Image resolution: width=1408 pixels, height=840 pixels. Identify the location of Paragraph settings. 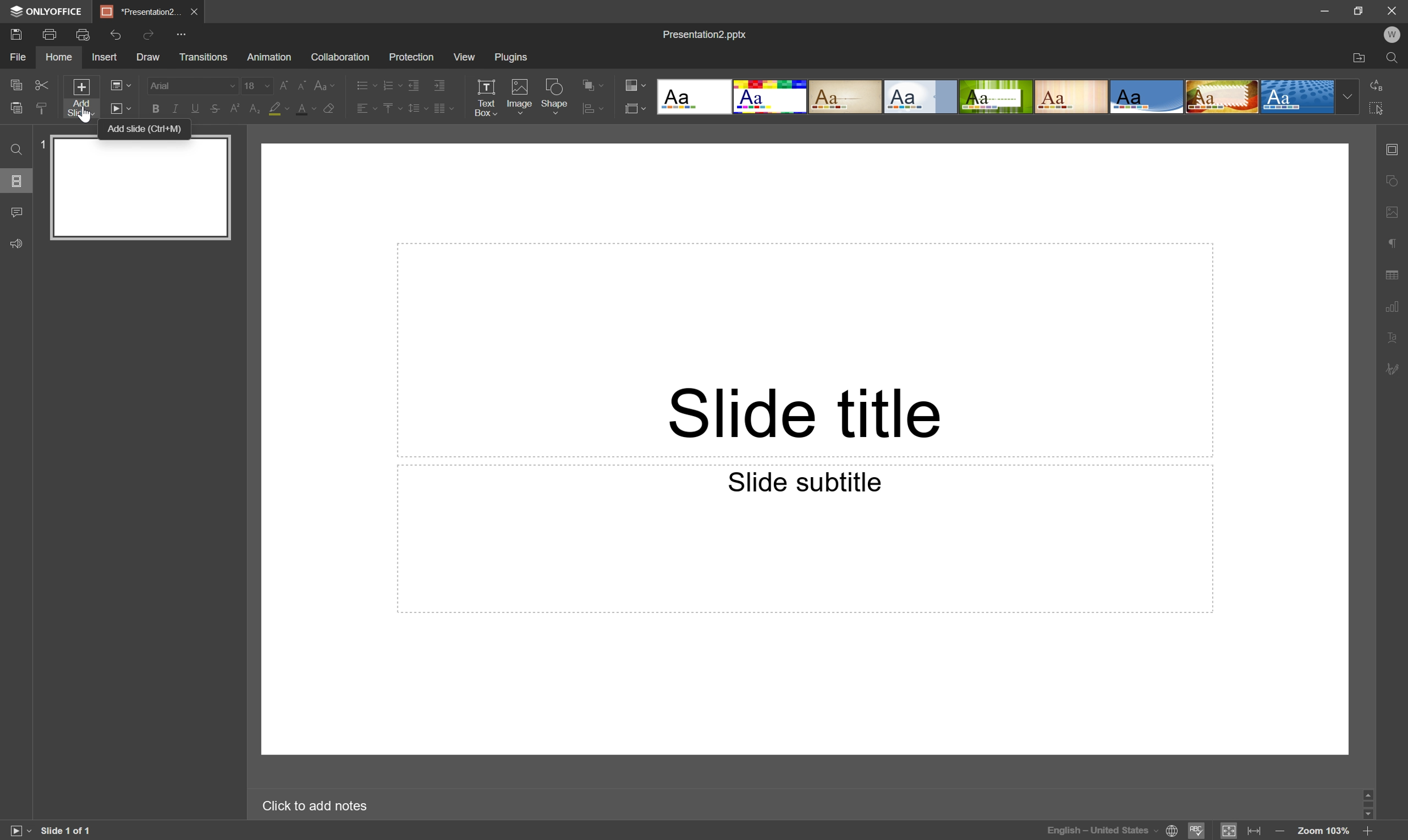
(1393, 241).